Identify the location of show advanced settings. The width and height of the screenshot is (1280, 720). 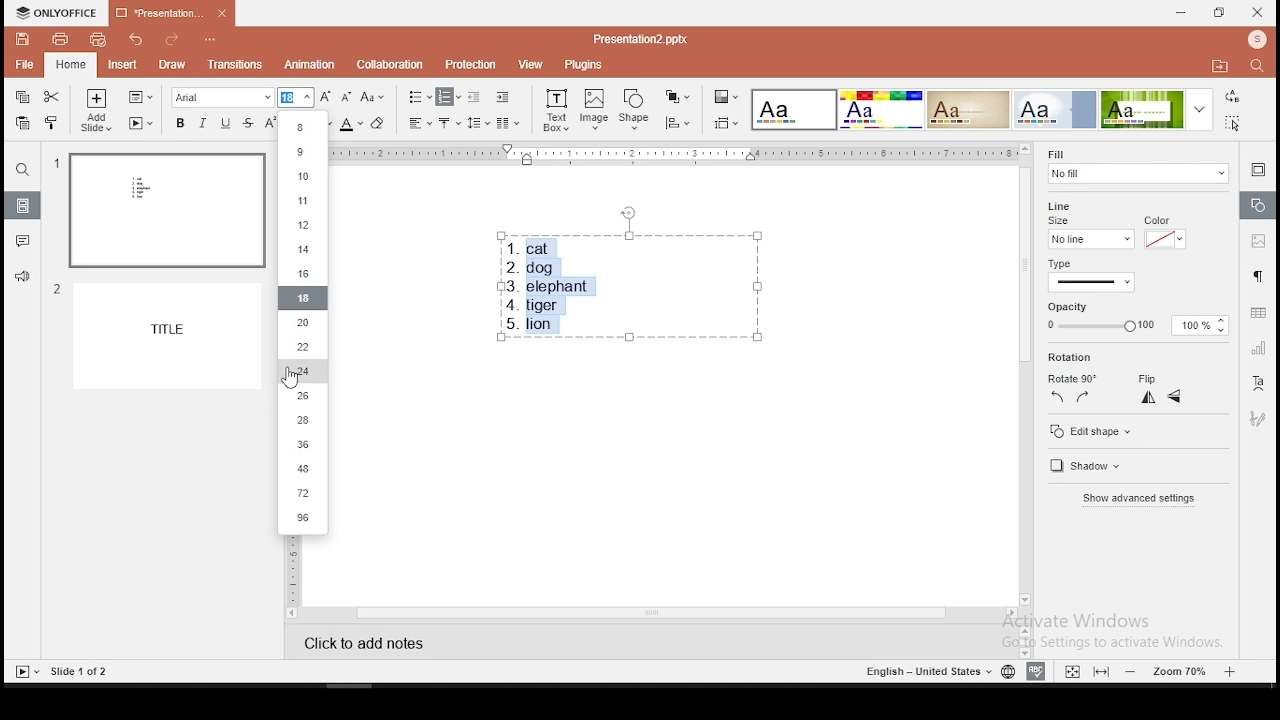
(1136, 499).